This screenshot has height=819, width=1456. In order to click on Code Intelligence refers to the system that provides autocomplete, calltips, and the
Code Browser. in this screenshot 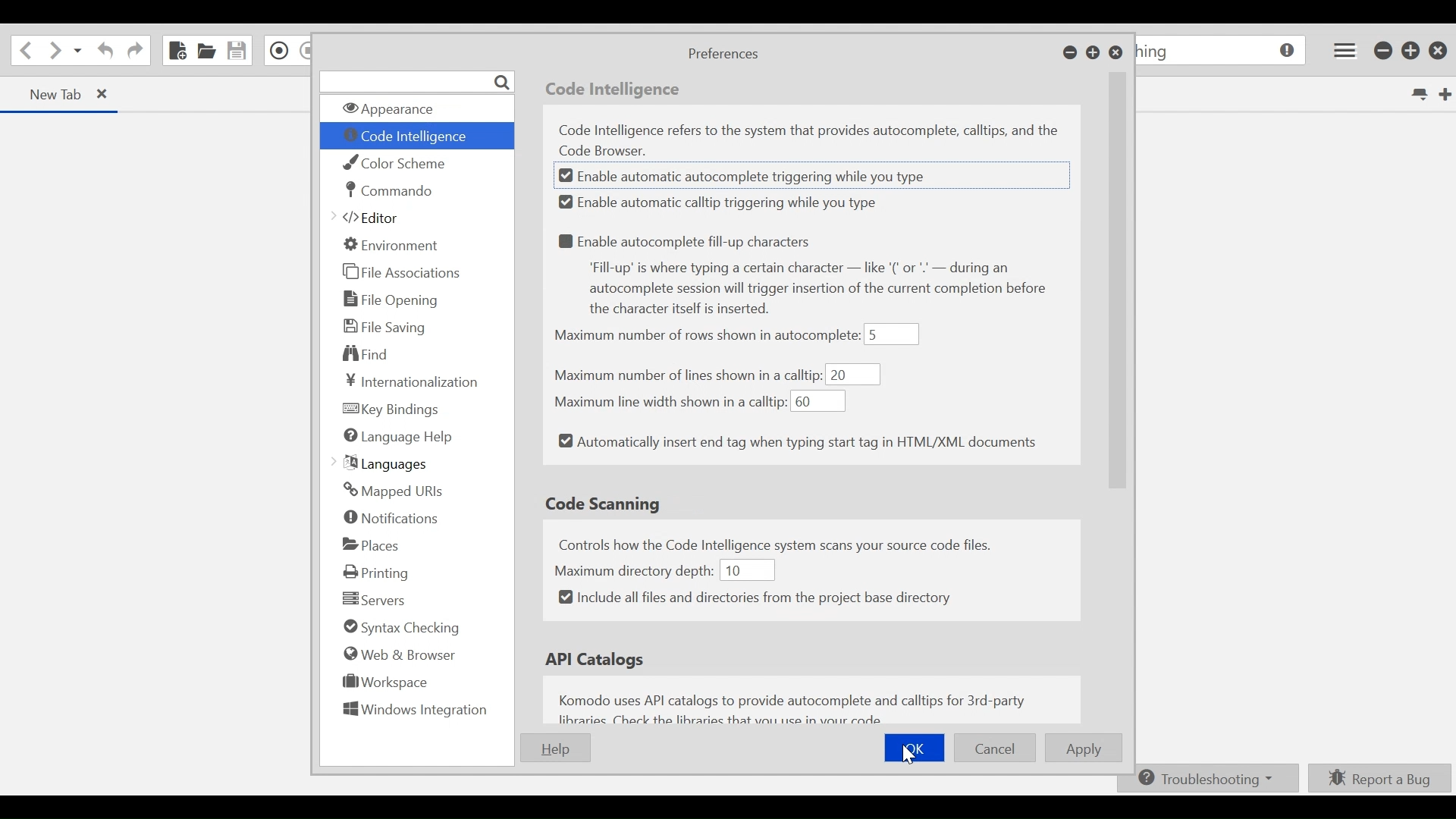, I will do `click(814, 140)`.